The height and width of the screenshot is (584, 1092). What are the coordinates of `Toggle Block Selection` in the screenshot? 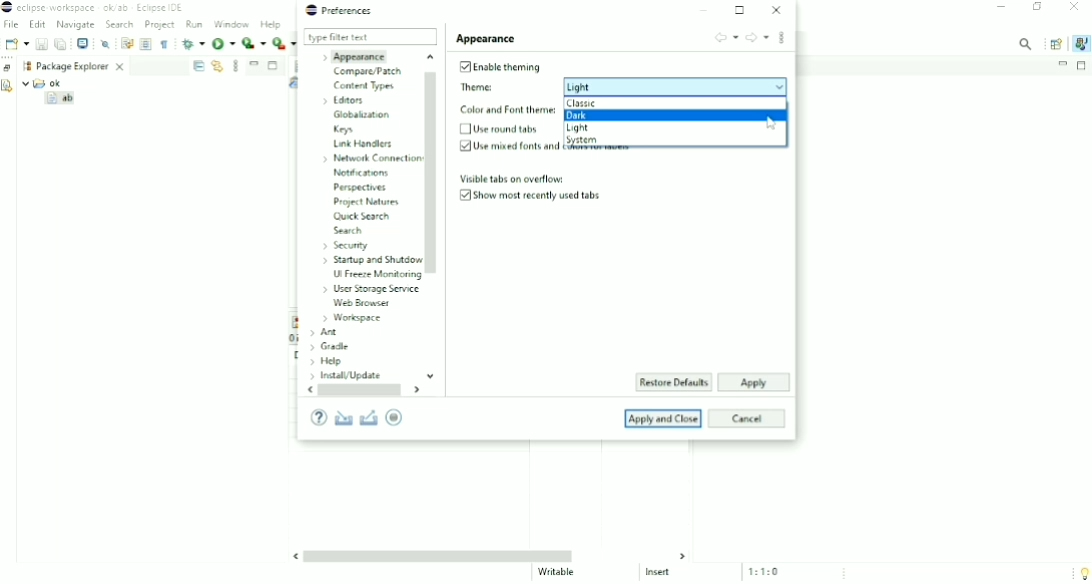 It's located at (146, 44).